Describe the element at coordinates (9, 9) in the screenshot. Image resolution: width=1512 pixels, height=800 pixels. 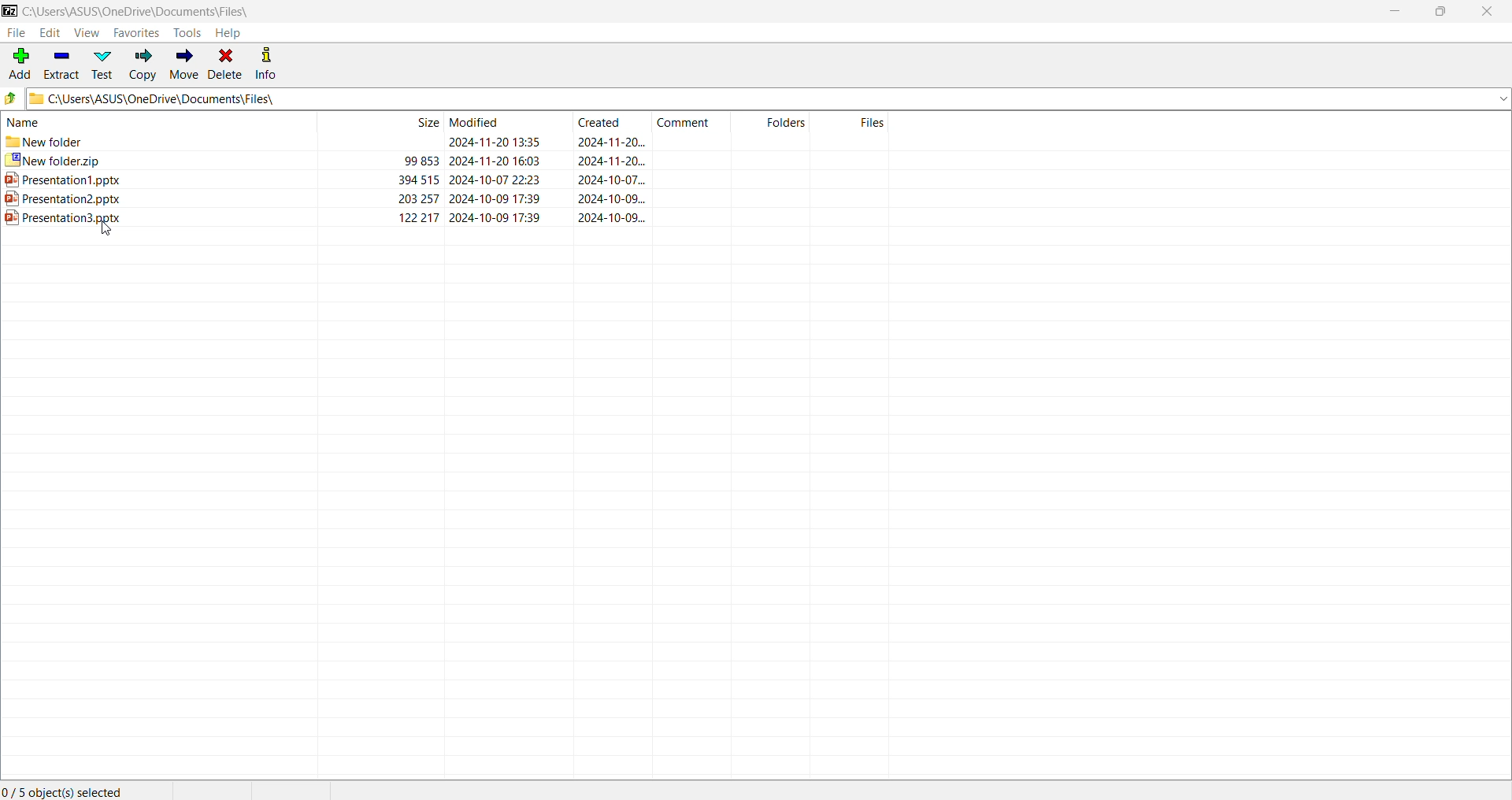
I see `Application Logo` at that location.